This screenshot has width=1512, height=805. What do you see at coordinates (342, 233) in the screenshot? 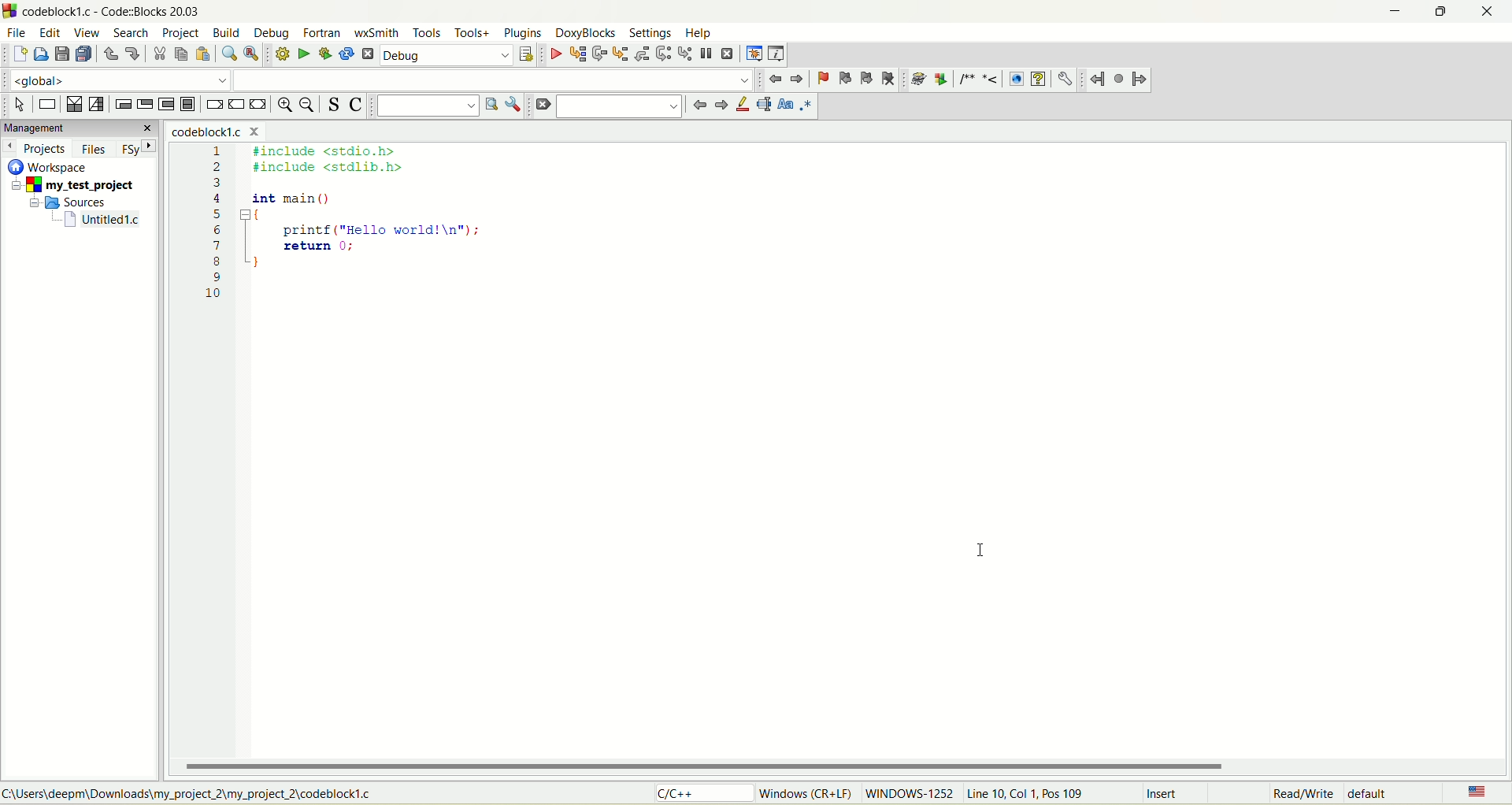
I see `code` at bounding box center [342, 233].